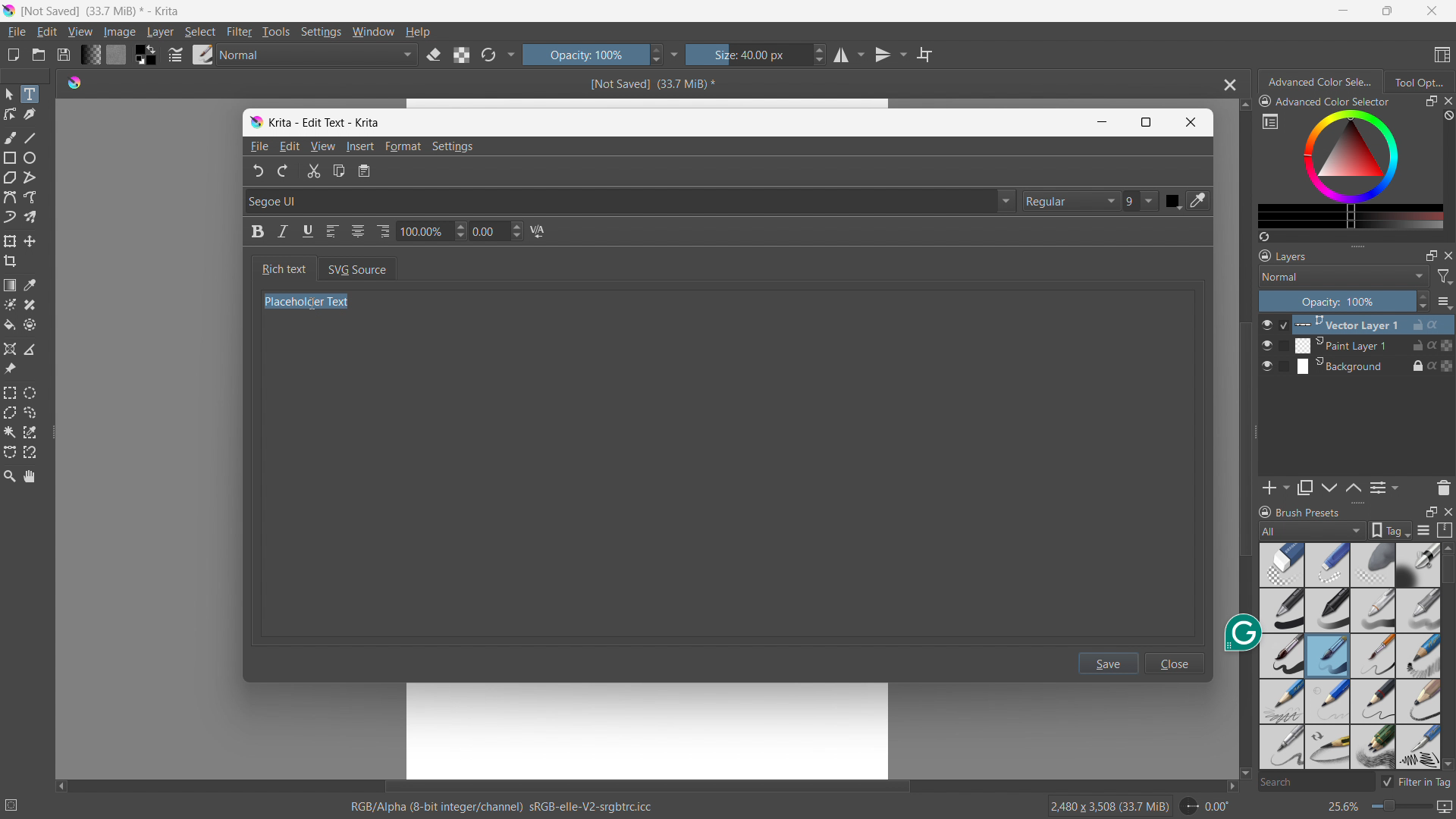 Image resolution: width=1456 pixels, height=819 pixels. I want to click on new, so click(13, 55).